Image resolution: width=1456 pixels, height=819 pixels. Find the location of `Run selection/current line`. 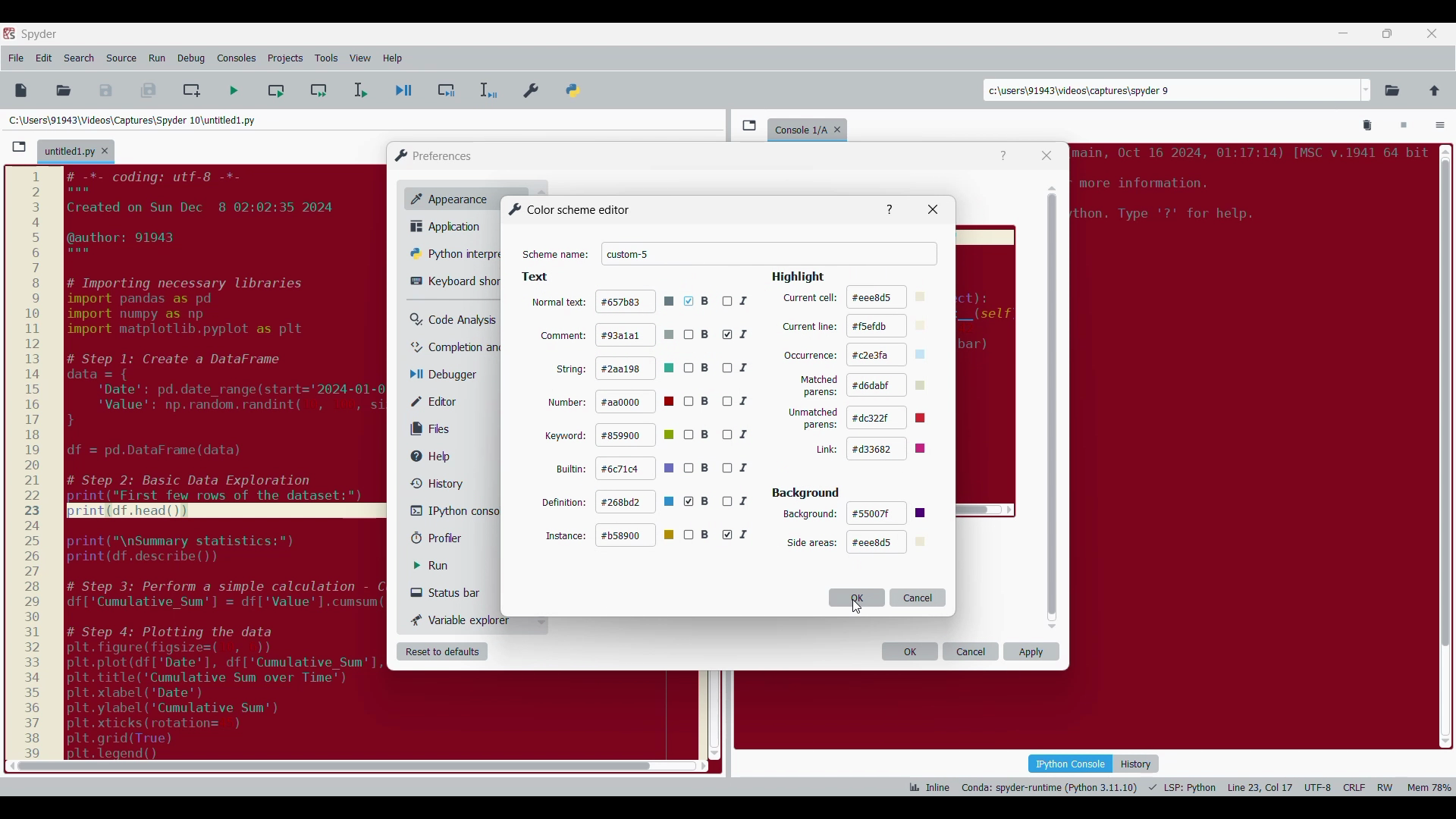

Run selection/current line is located at coordinates (359, 90).